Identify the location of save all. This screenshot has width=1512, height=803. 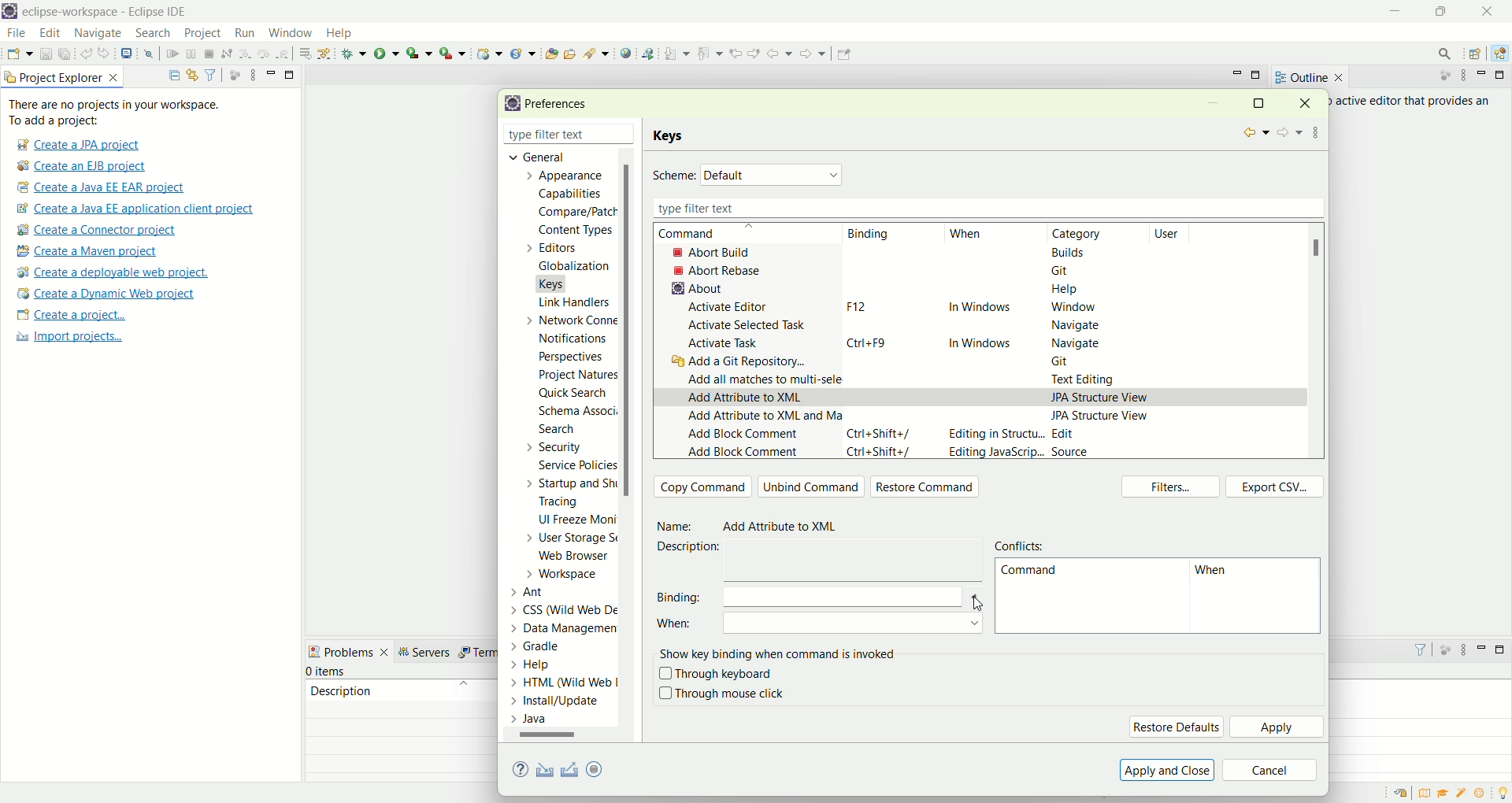
(65, 54).